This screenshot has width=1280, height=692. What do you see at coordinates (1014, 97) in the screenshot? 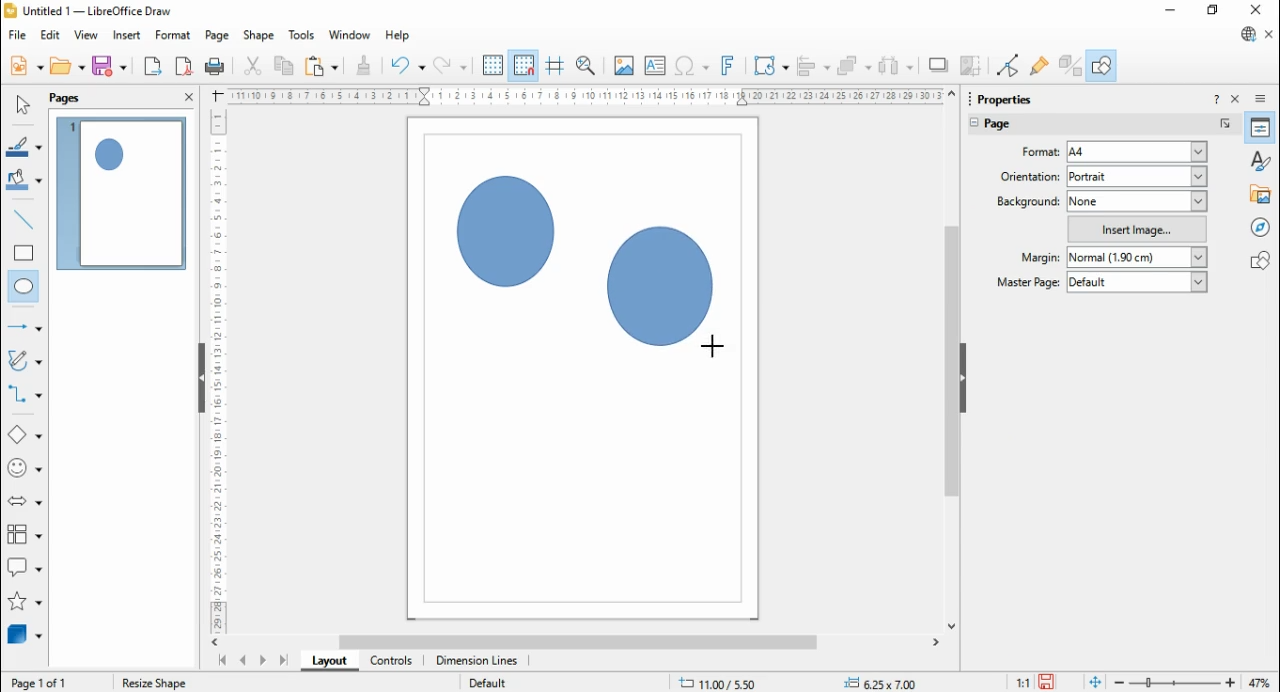
I see `properties` at bounding box center [1014, 97].